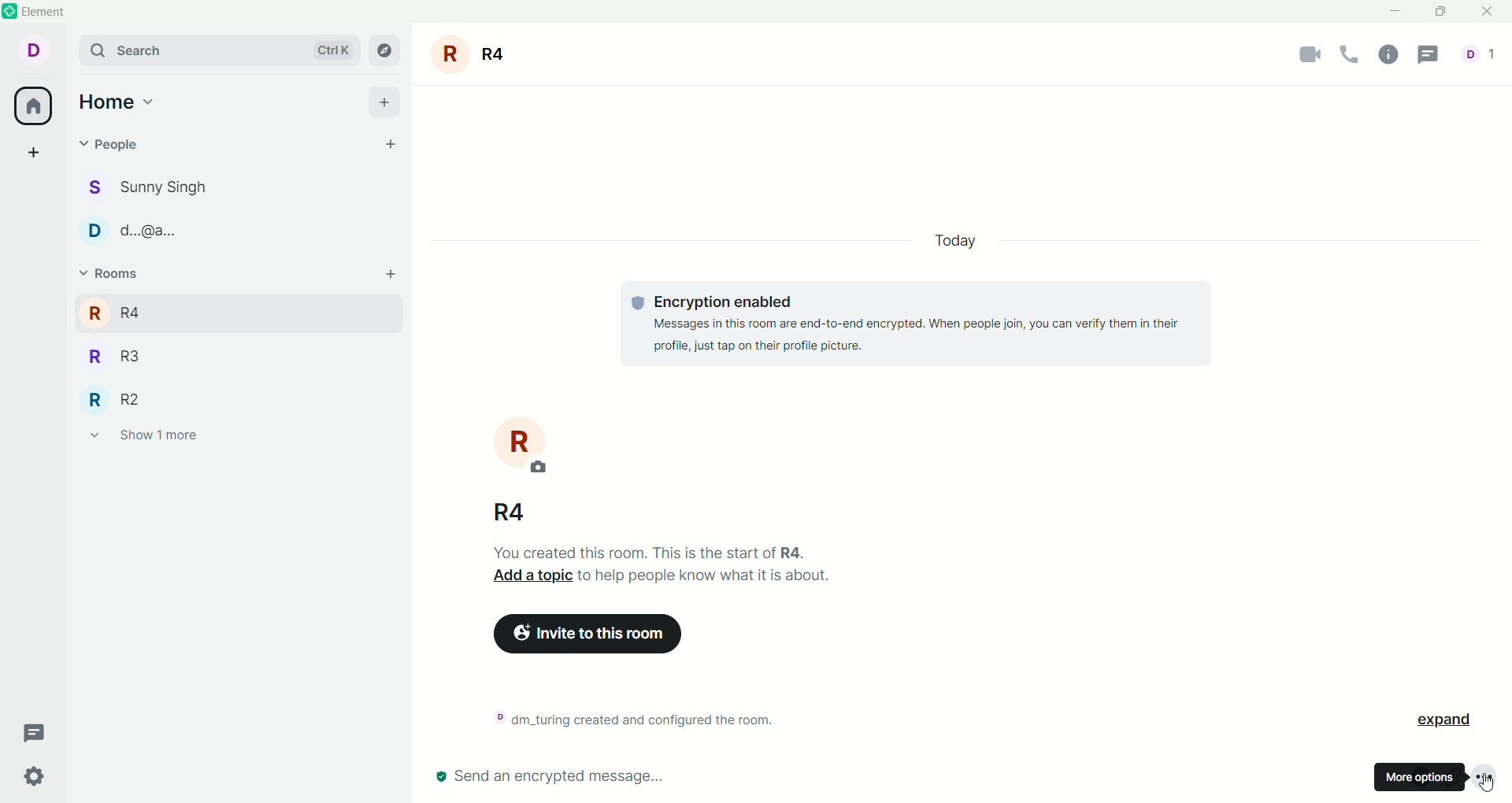  Describe the element at coordinates (34, 154) in the screenshot. I see `create a space` at that location.